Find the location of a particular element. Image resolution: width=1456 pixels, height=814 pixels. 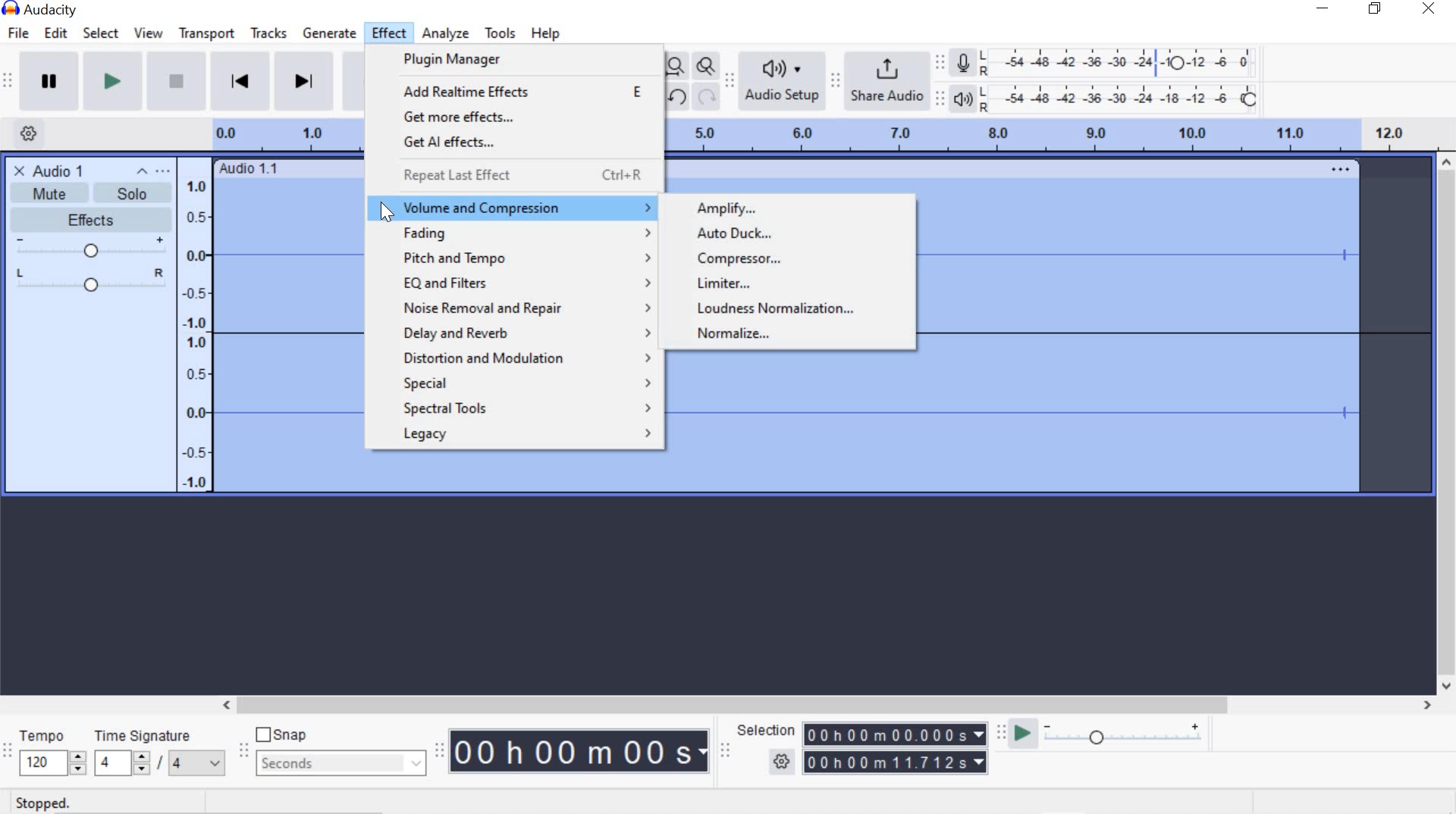

system name is located at coordinates (39, 10).